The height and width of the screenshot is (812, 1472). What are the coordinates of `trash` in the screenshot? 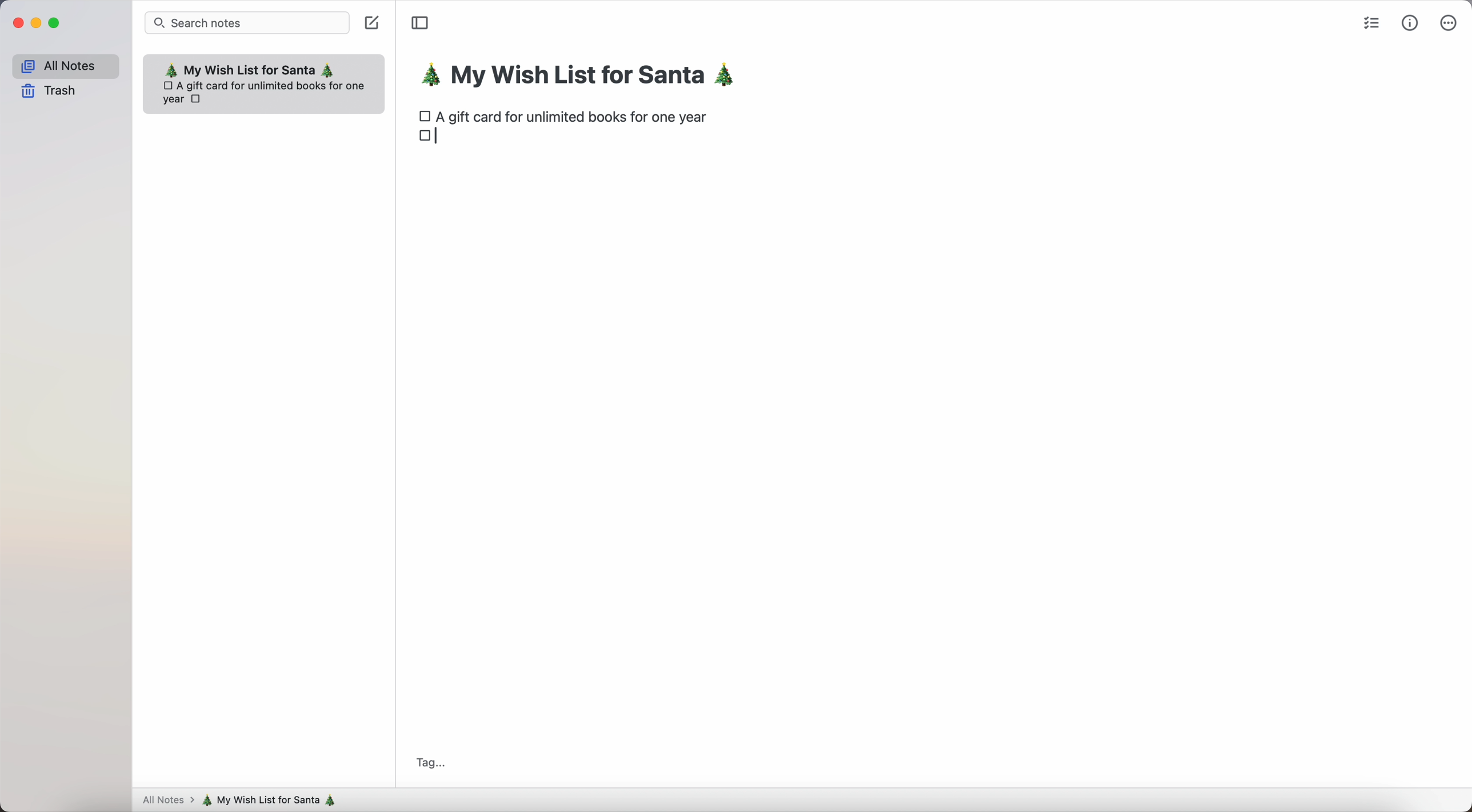 It's located at (50, 92).